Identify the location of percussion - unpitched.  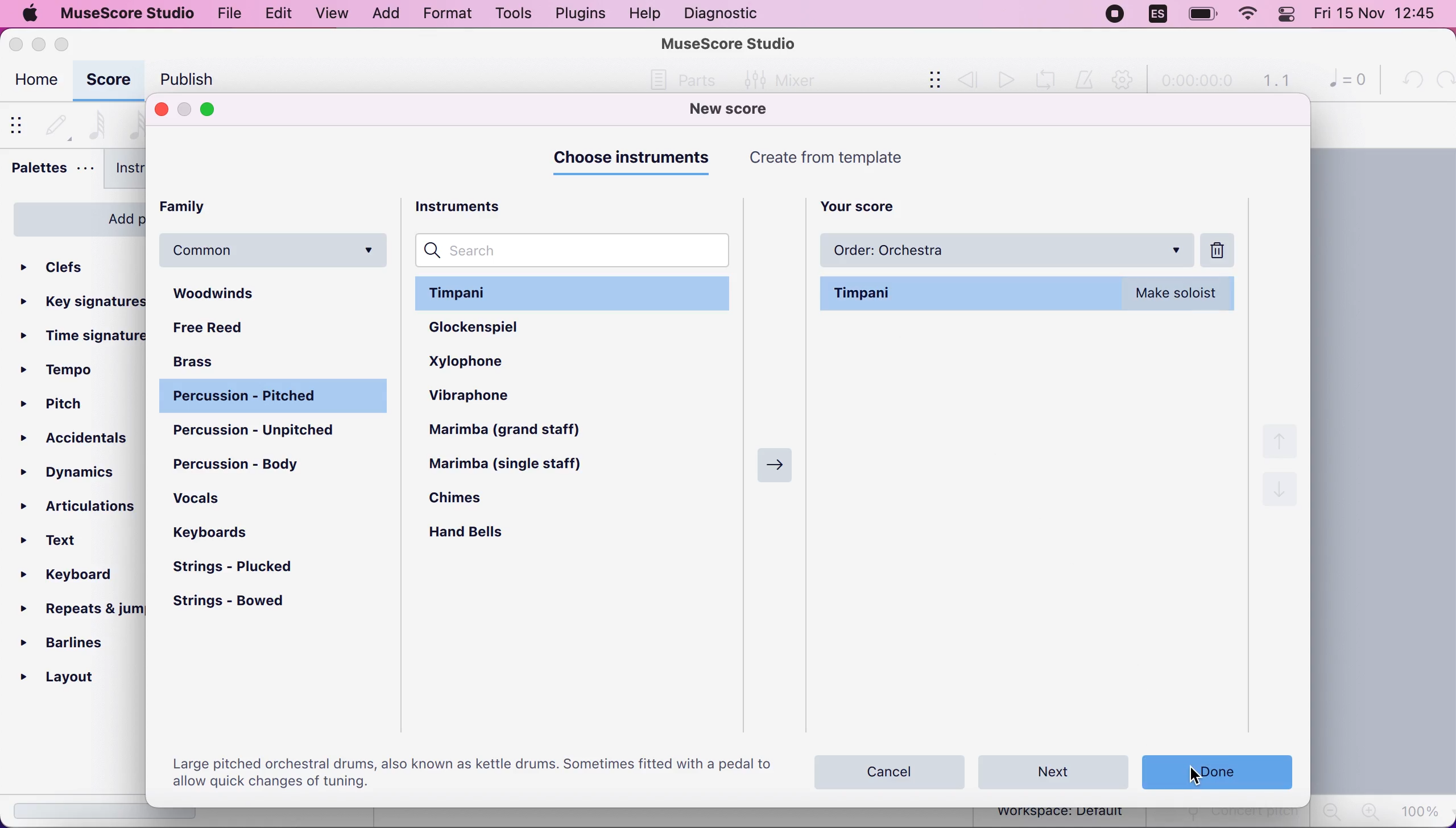
(276, 431).